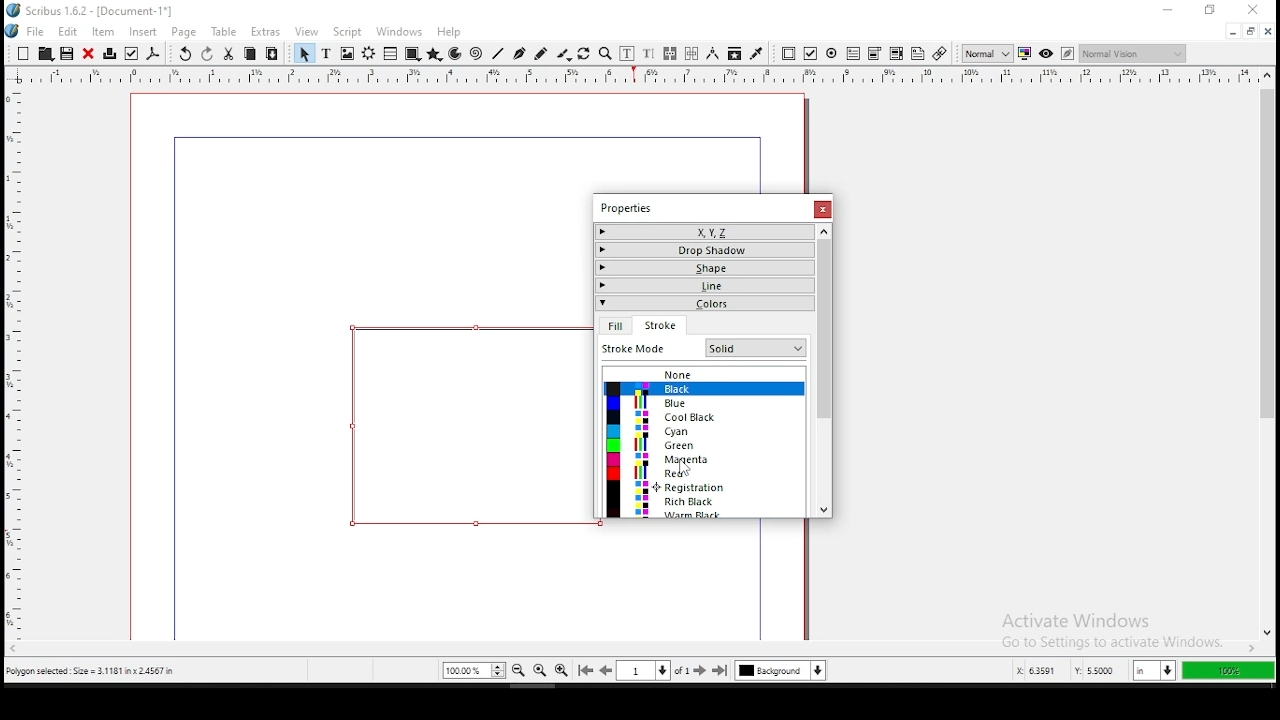  I want to click on bezier curve, so click(519, 54).